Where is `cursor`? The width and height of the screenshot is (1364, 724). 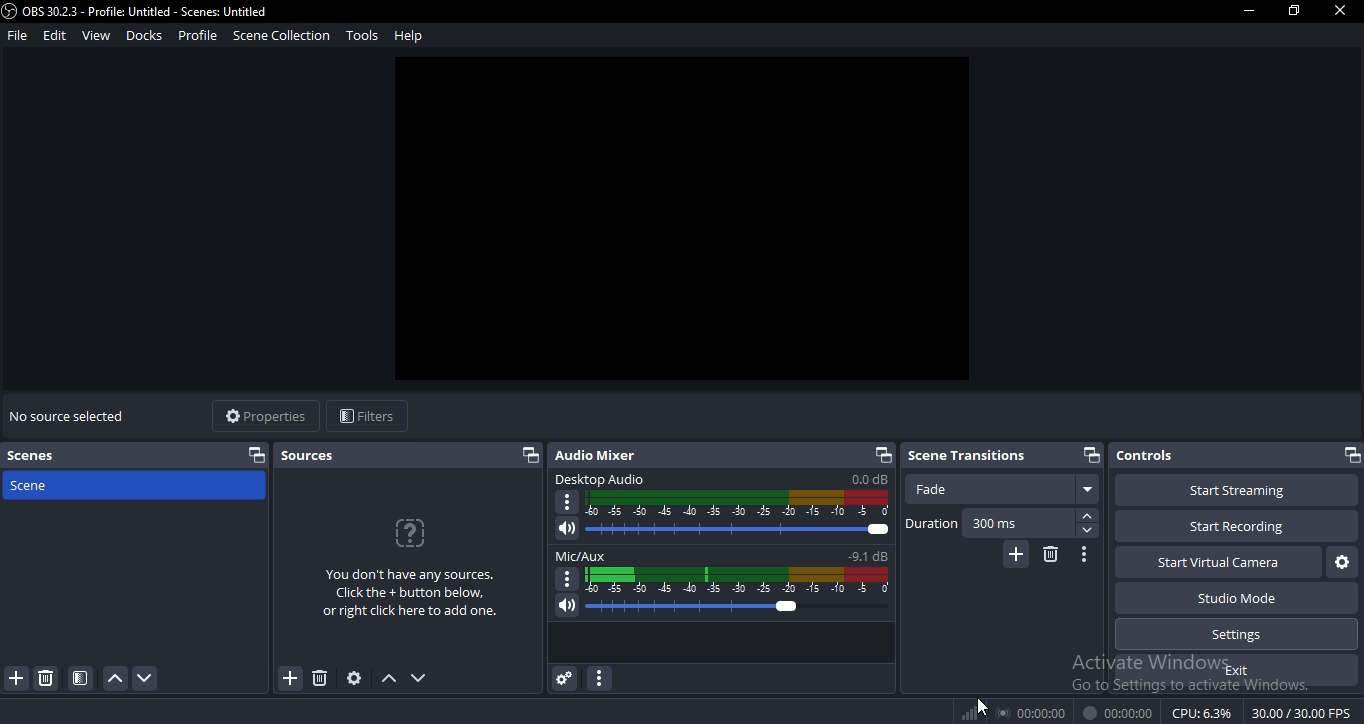
cursor is located at coordinates (986, 704).